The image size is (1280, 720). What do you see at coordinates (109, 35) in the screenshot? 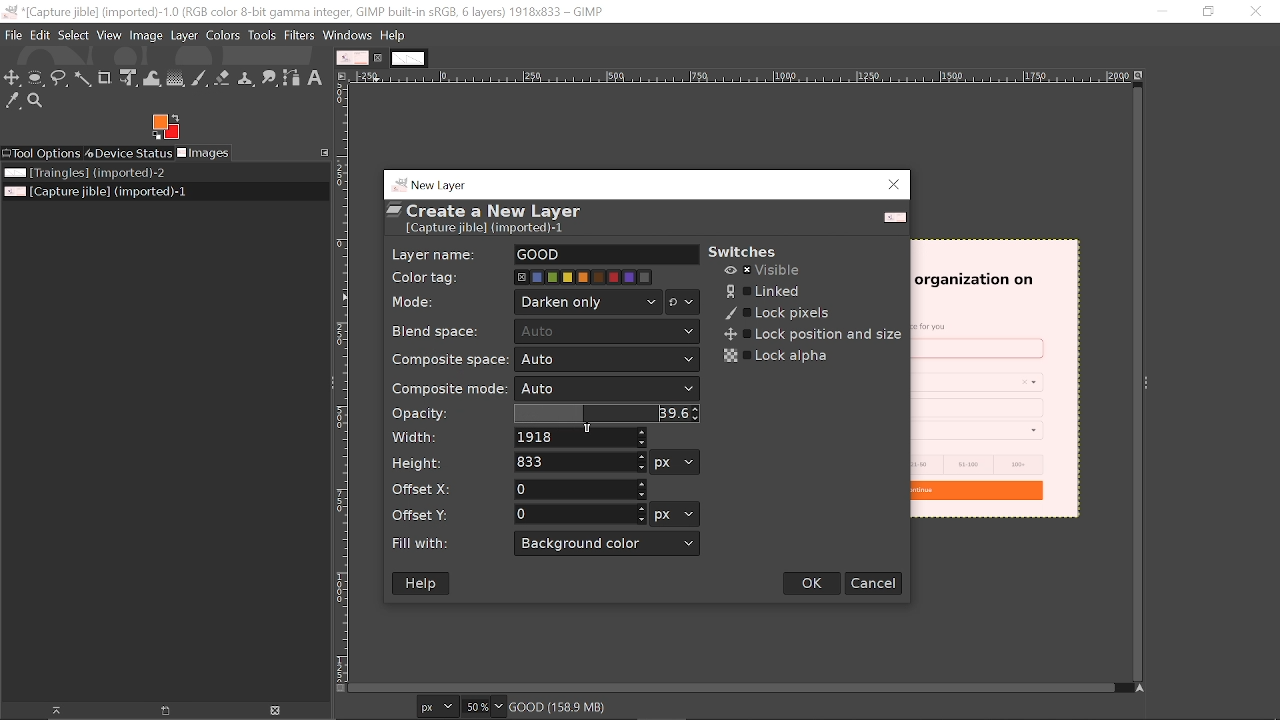
I see `View` at bounding box center [109, 35].